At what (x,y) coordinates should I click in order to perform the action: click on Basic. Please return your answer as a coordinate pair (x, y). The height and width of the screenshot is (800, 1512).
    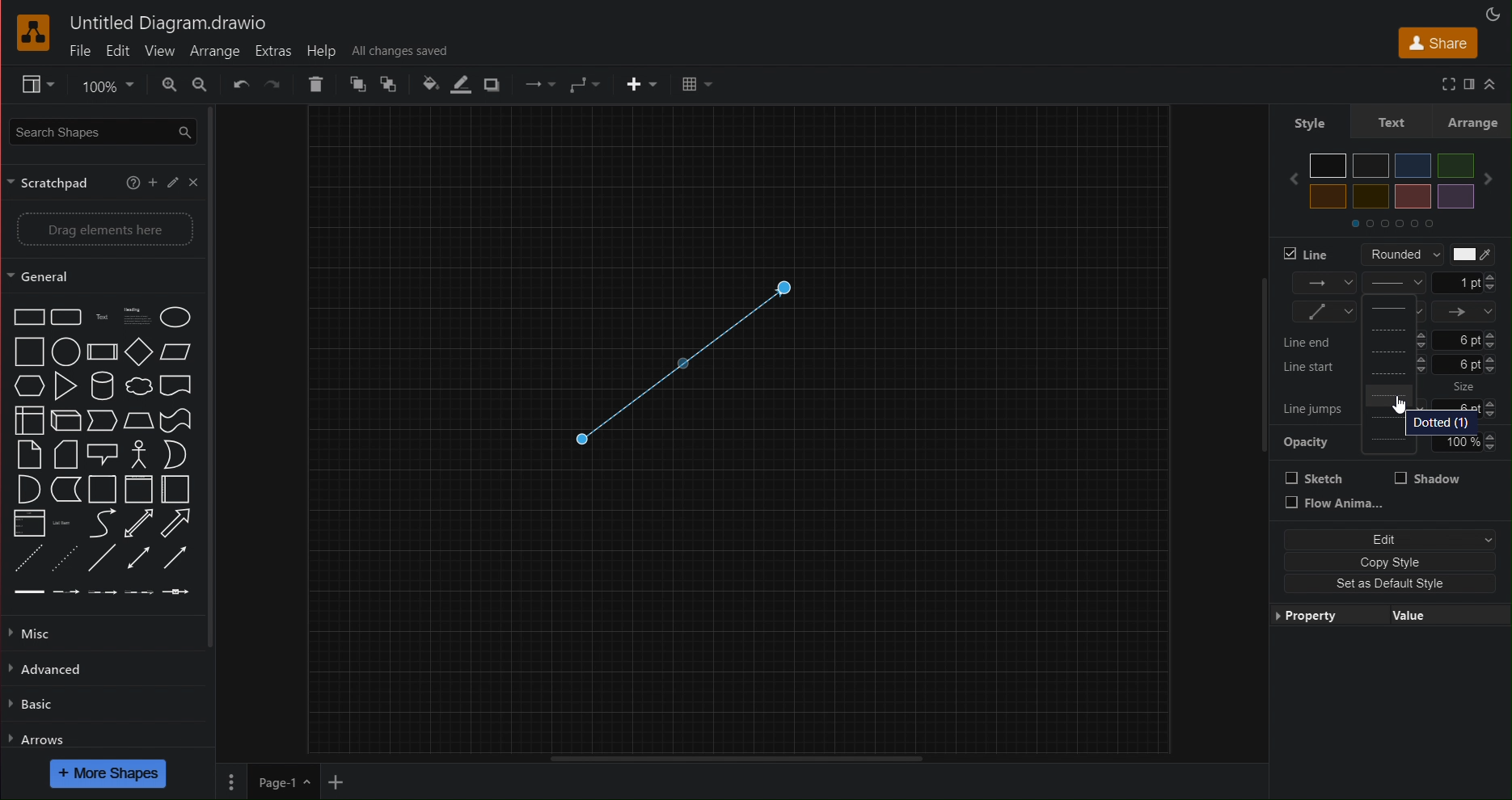
    Looking at the image, I should click on (32, 706).